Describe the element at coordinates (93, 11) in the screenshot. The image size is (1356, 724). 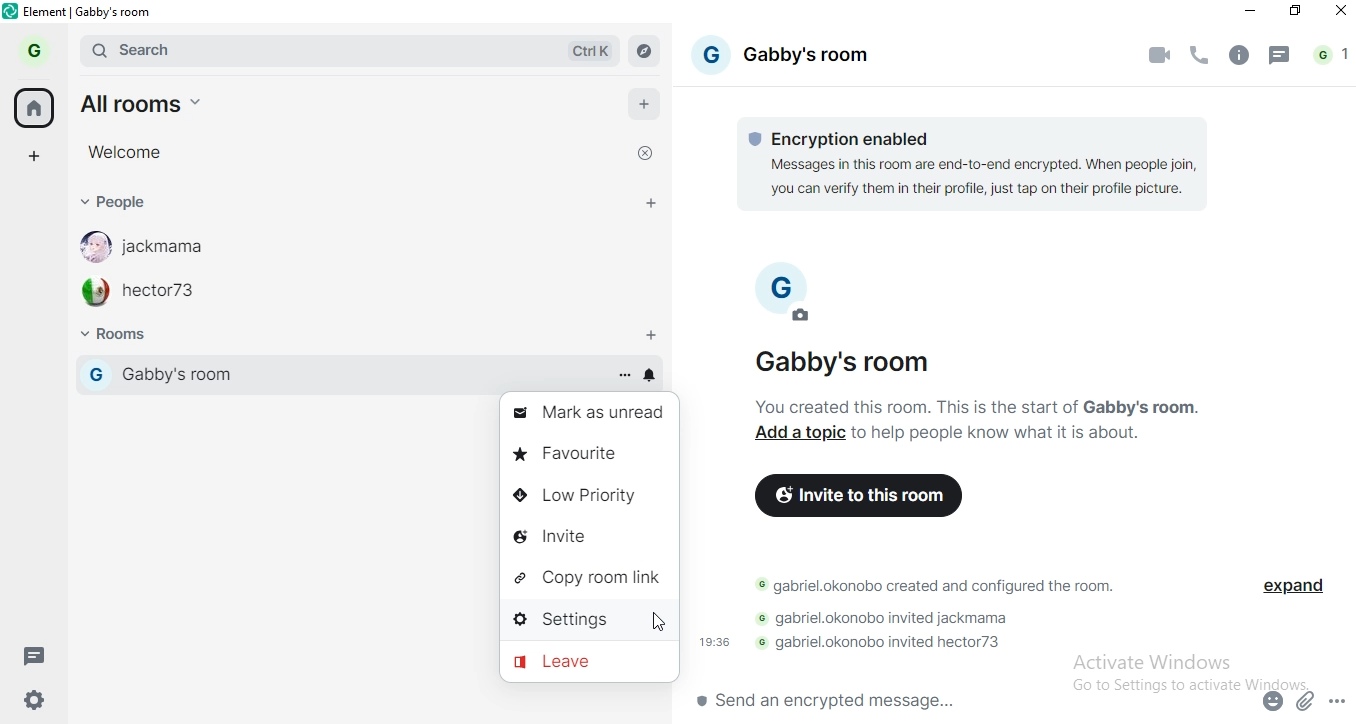
I see `element` at that location.